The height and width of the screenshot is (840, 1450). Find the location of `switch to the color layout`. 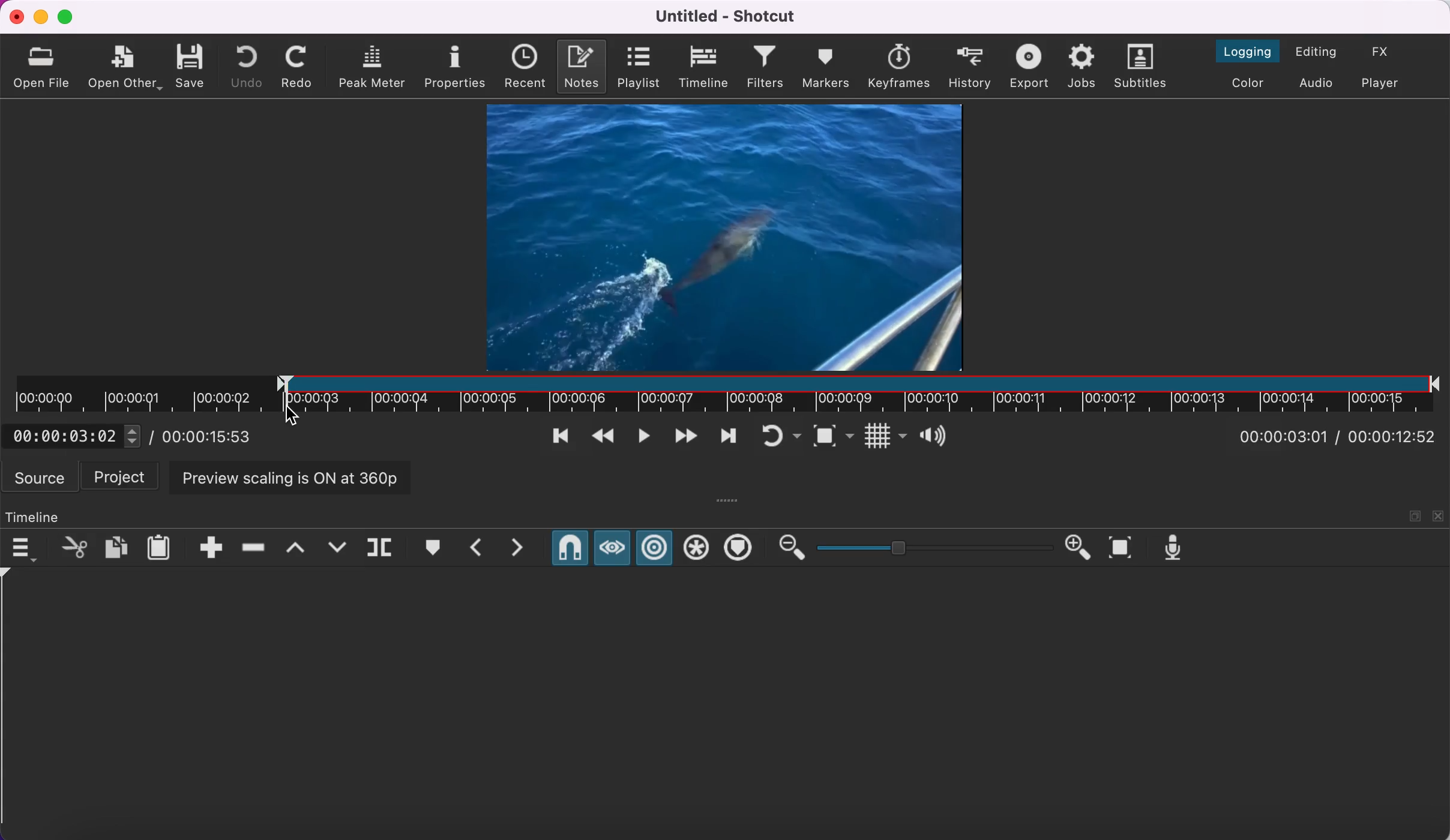

switch to the color layout is located at coordinates (1251, 83).